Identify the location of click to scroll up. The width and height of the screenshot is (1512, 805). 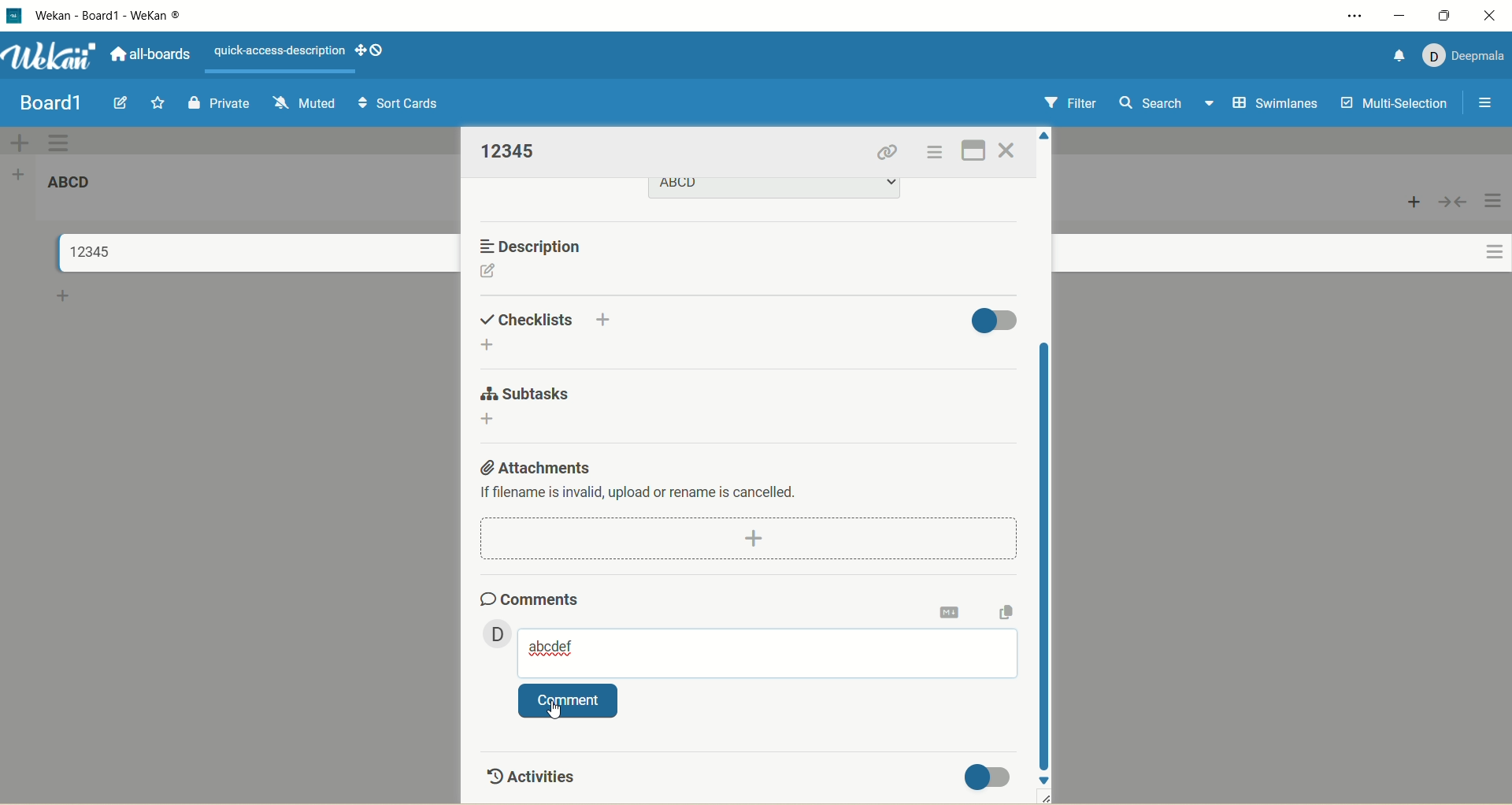
(1047, 133).